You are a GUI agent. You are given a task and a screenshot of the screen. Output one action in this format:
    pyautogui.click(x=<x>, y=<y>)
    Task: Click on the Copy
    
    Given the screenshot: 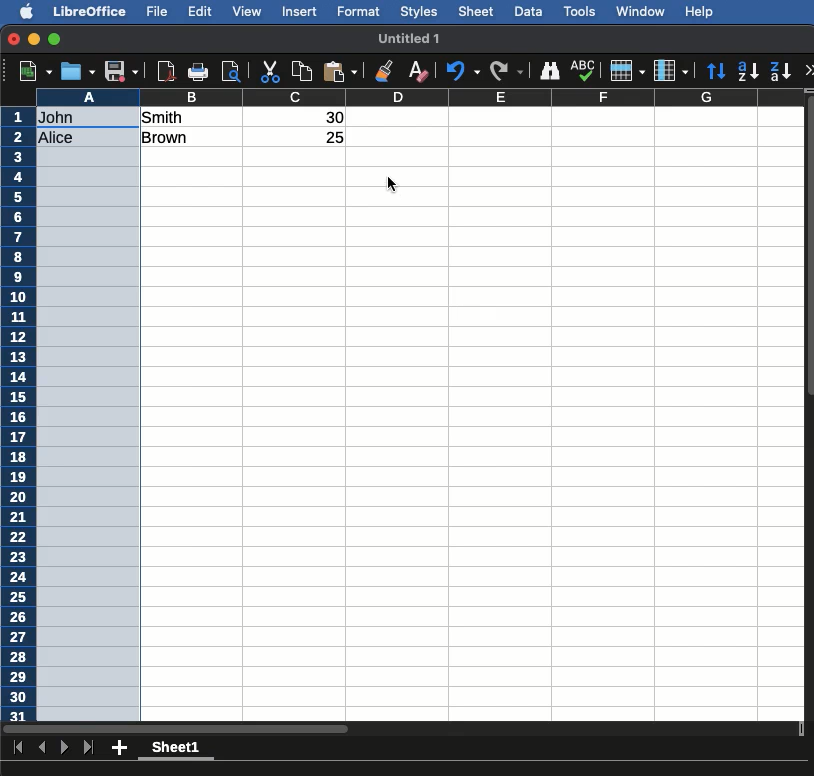 What is the action you would take?
    pyautogui.click(x=305, y=69)
    